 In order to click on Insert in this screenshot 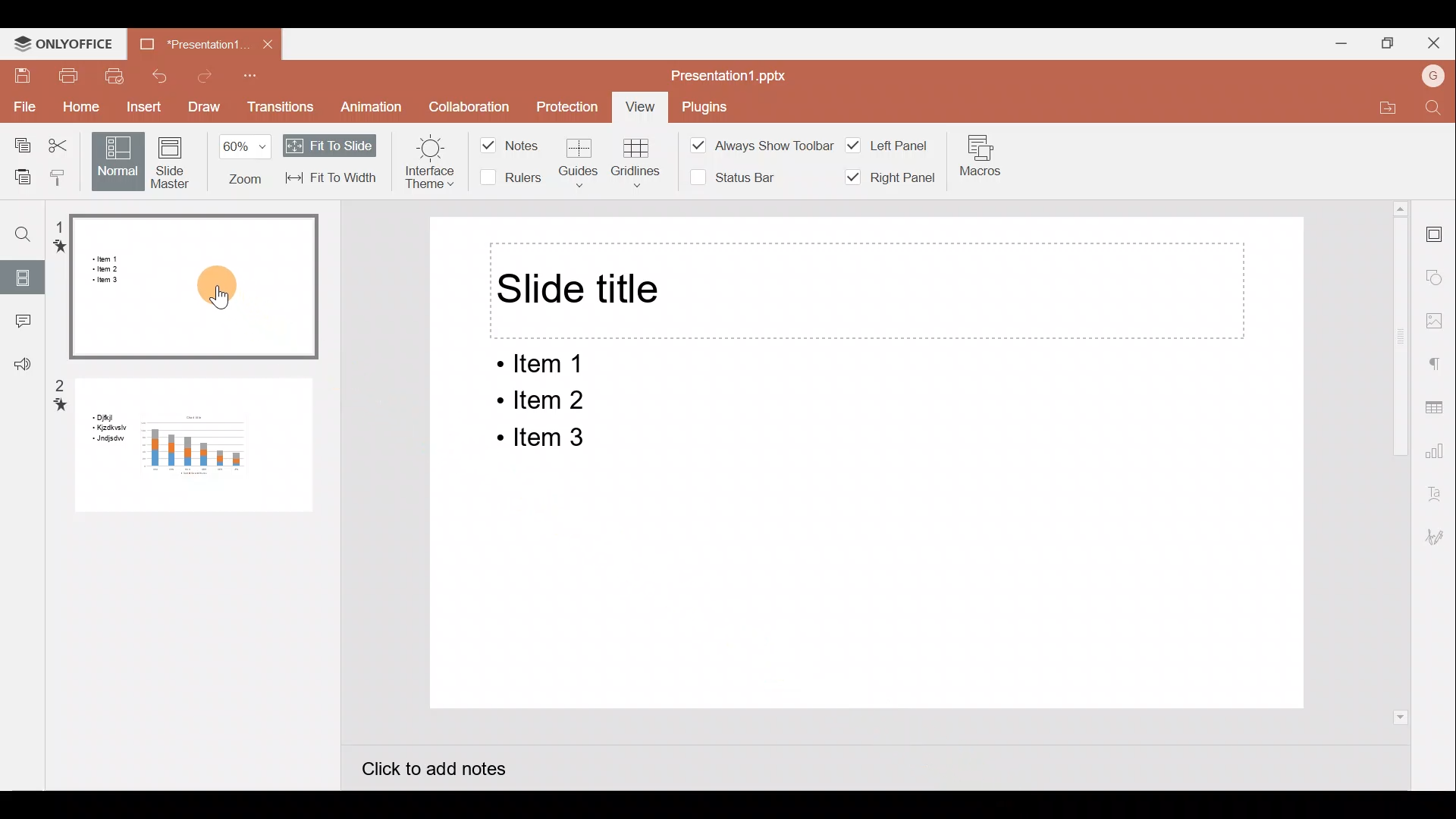, I will do `click(142, 106)`.